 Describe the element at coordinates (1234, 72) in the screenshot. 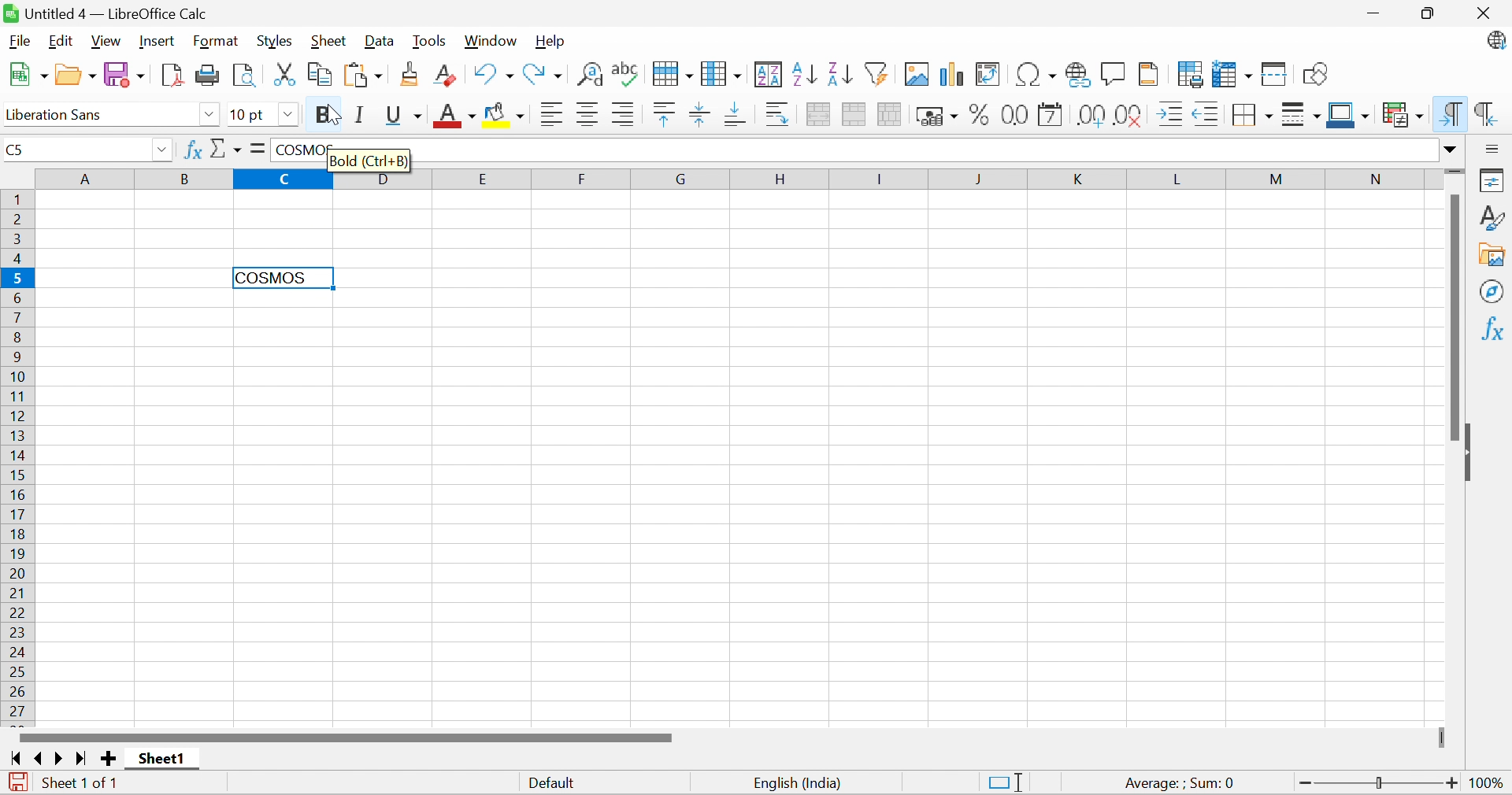

I see `Freeze Rows and Columns` at that location.